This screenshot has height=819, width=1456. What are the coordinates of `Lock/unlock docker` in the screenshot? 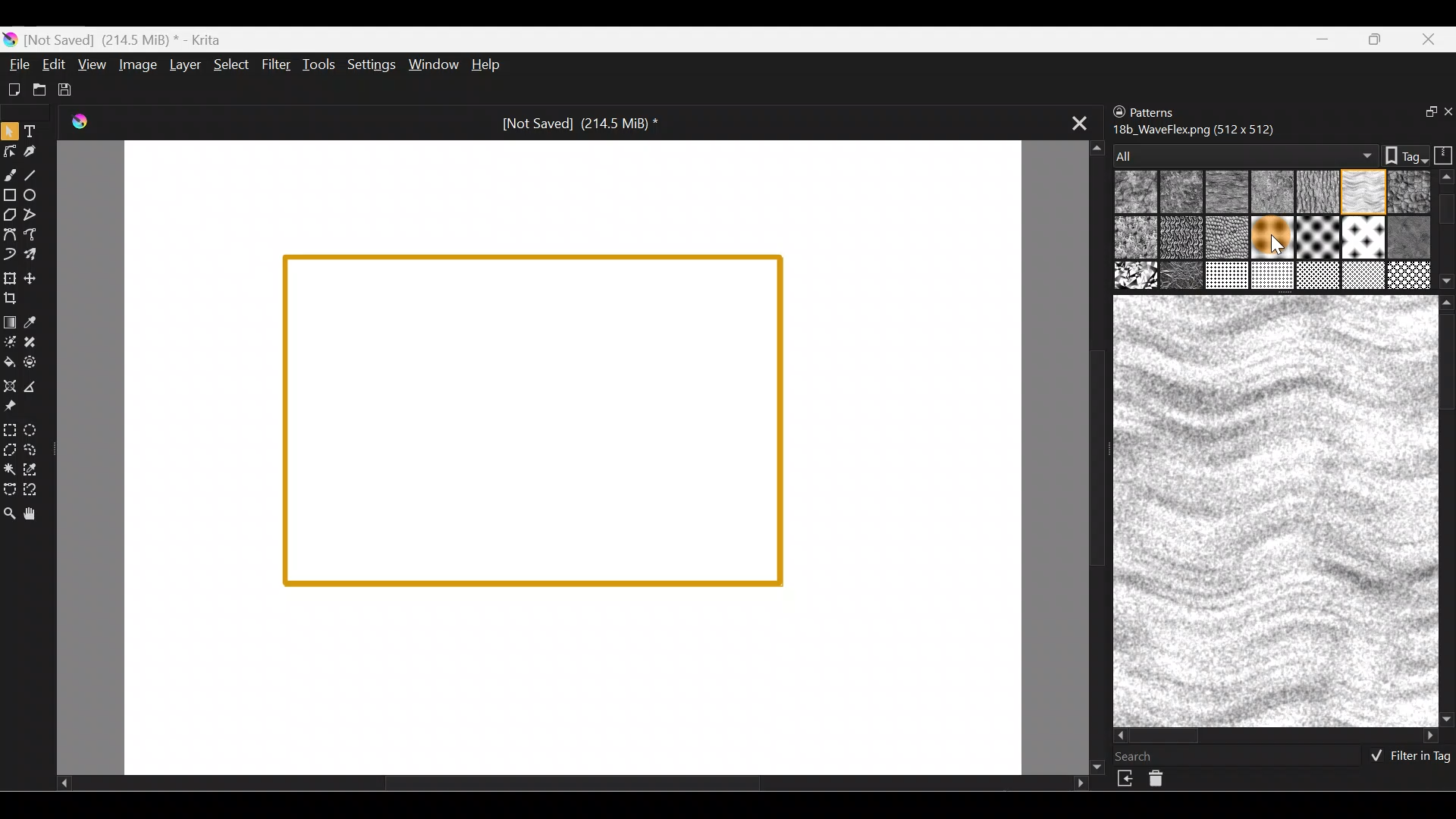 It's located at (1116, 108).